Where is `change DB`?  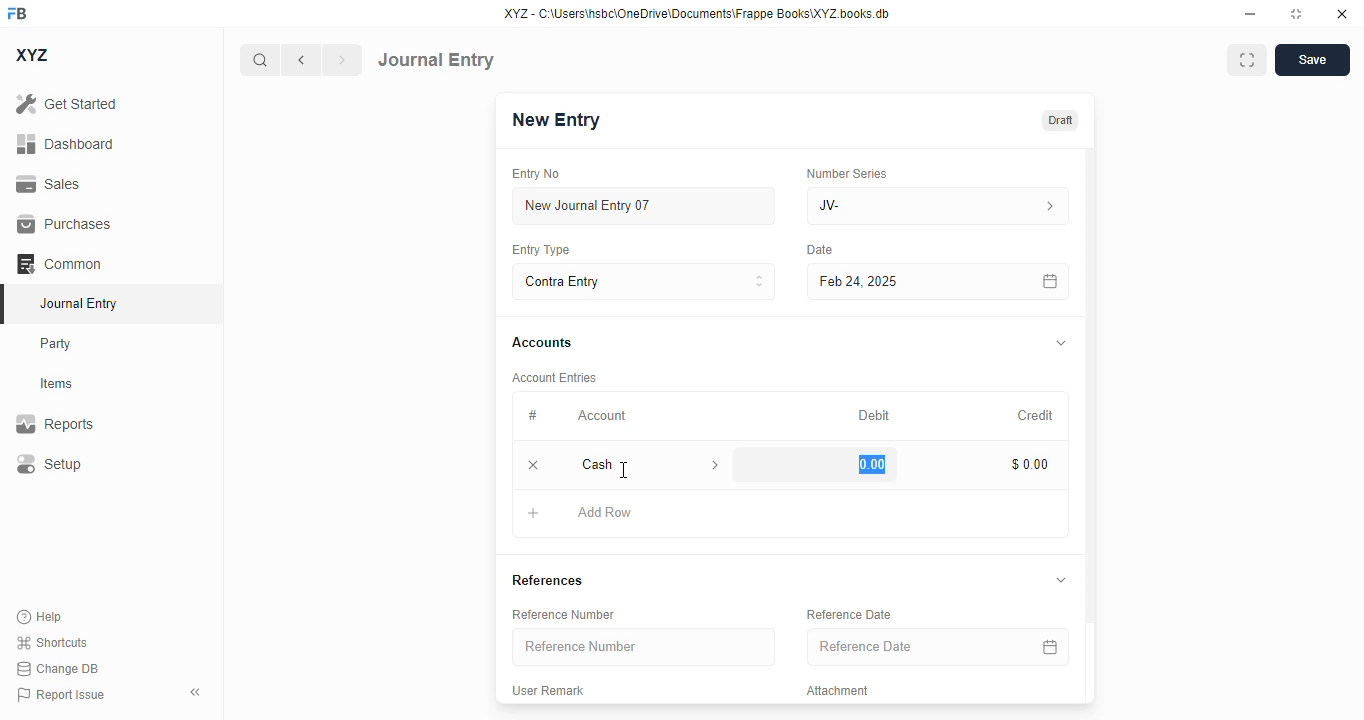
change DB is located at coordinates (57, 668).